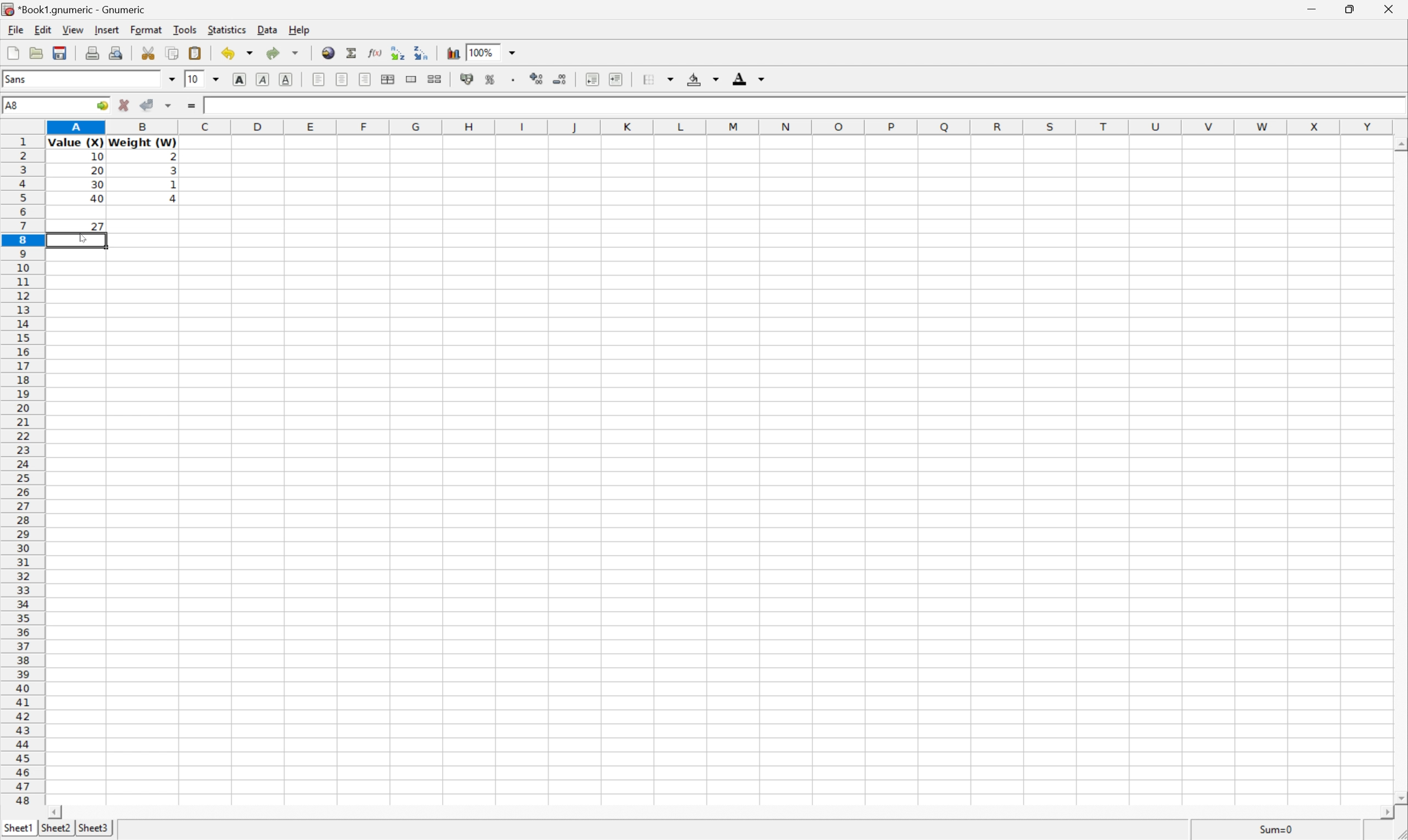  I want to click on Sort the selected region in ascending order based on the first column selected, so click(397, 52).